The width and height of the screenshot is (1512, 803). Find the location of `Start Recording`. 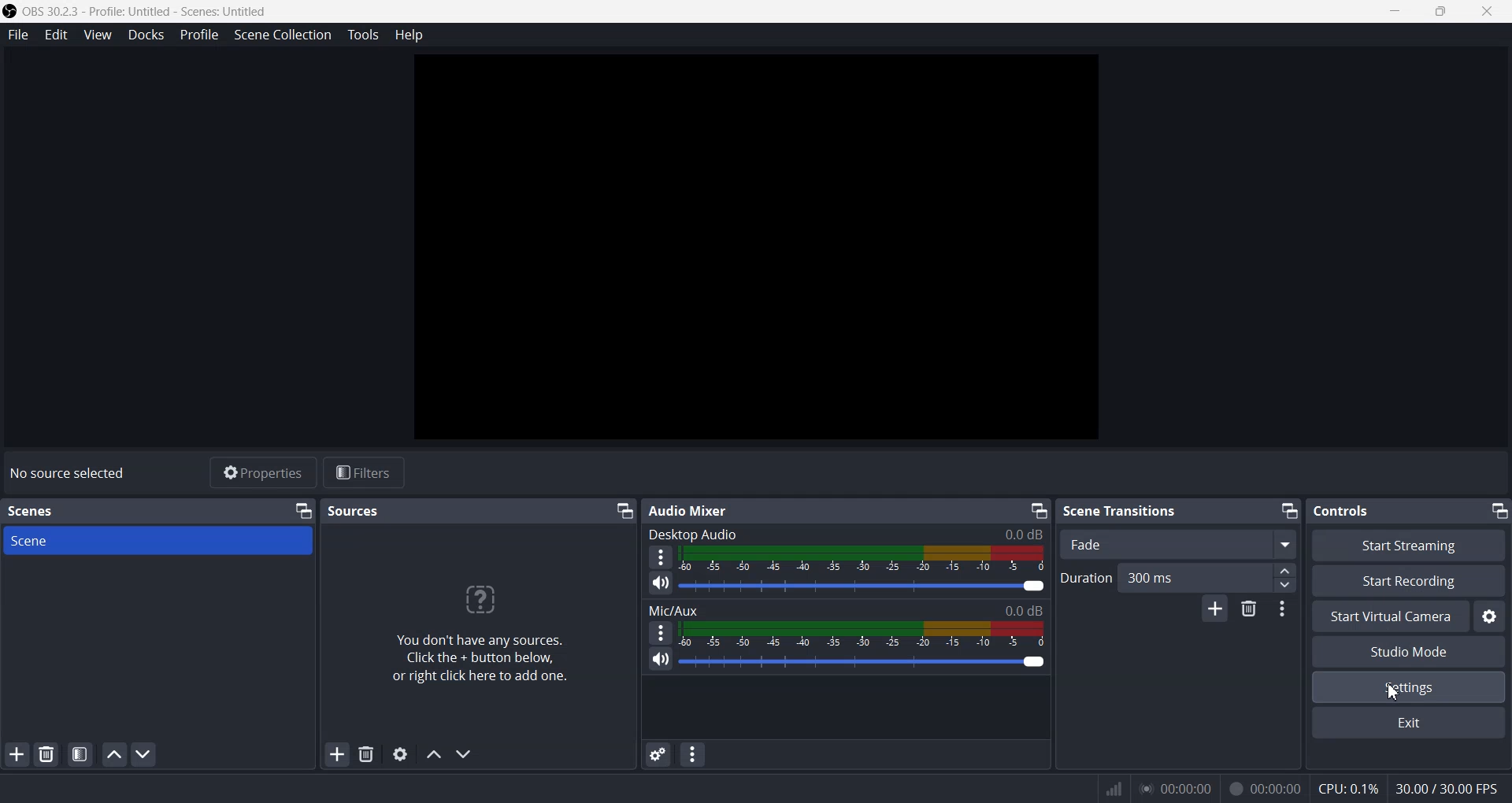

Start Recording is located at coordinates (1410, 581).